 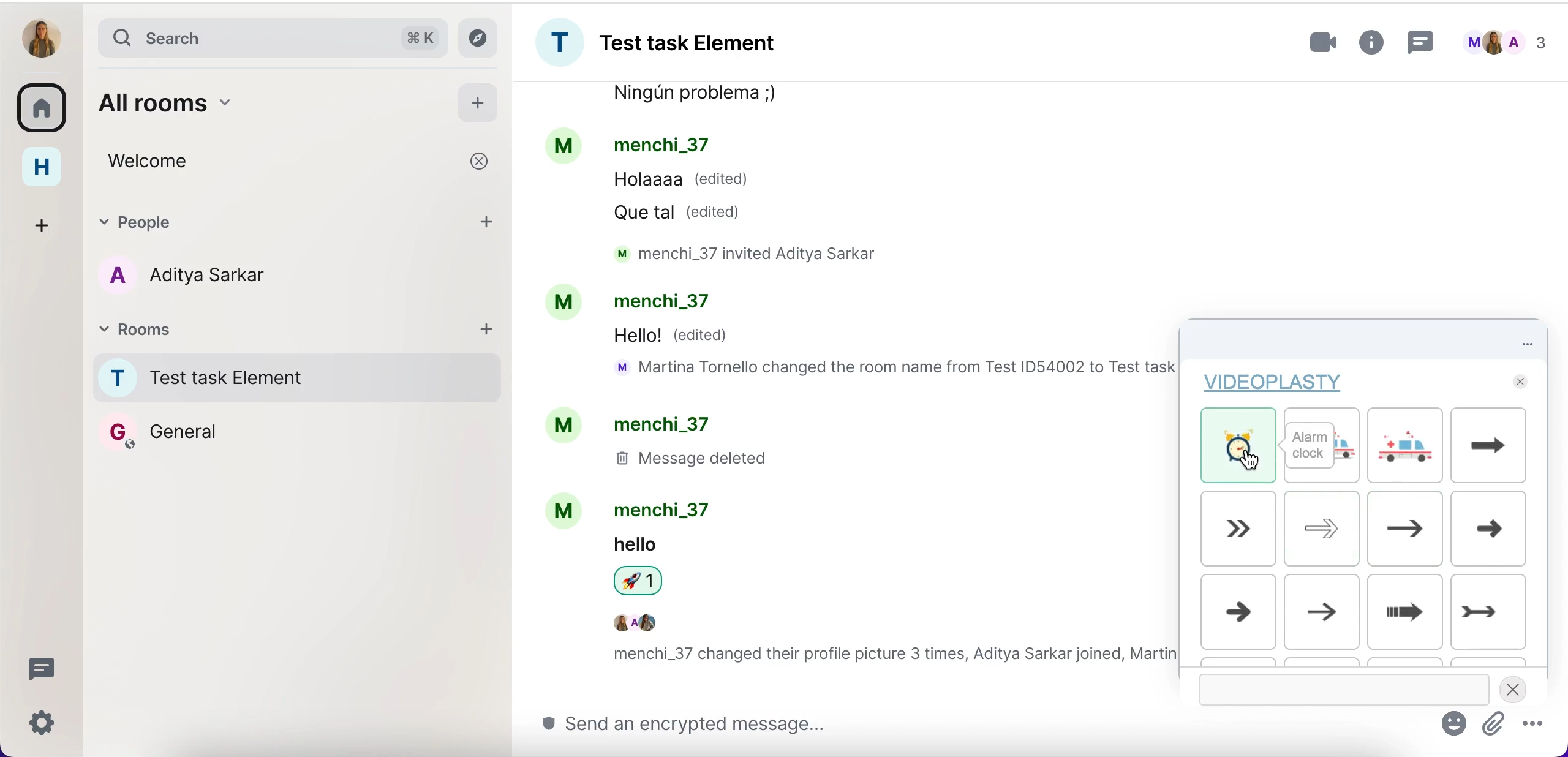 What do you see at coordinates (242, 160) in the screenshot?
I see `welcome` at bounding box center [242, 160].